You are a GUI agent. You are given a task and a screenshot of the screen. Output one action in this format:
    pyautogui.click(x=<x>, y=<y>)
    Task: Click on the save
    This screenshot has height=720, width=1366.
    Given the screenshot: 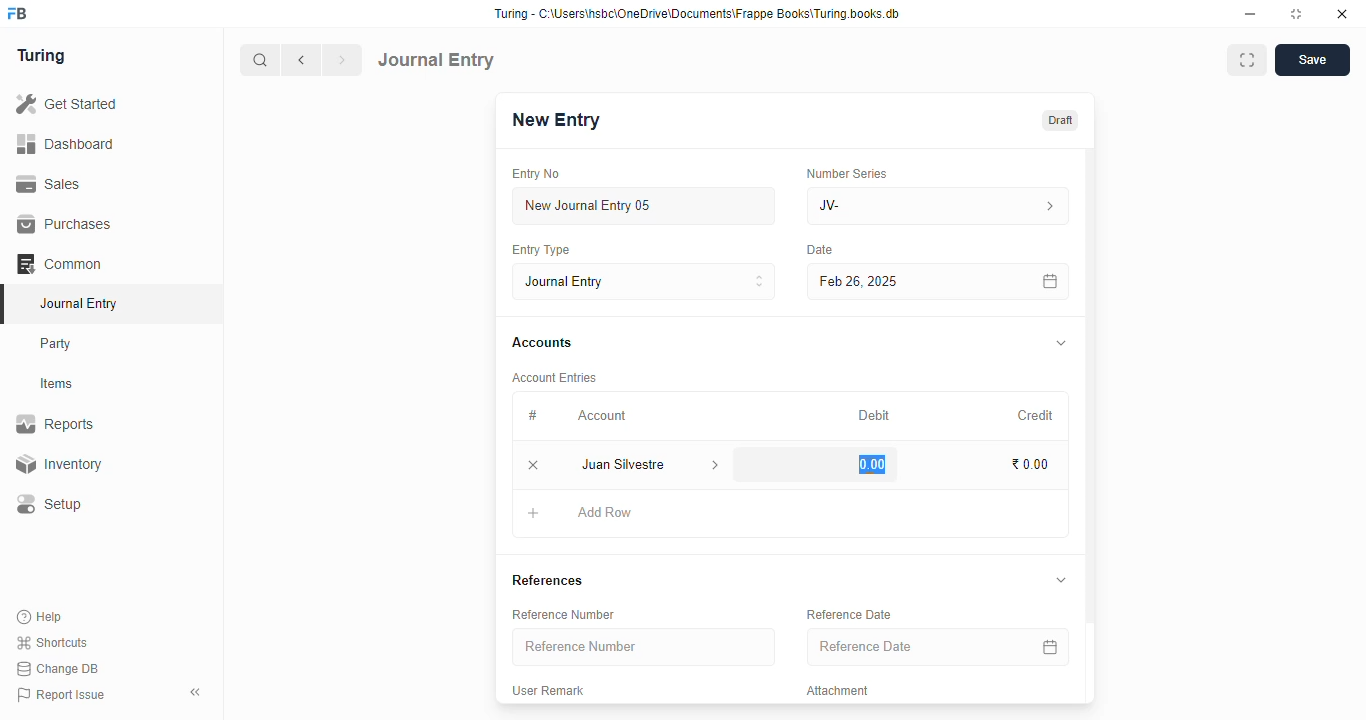 What is the action you would take?
    pyautogui.click(x=1312, y=60)
    